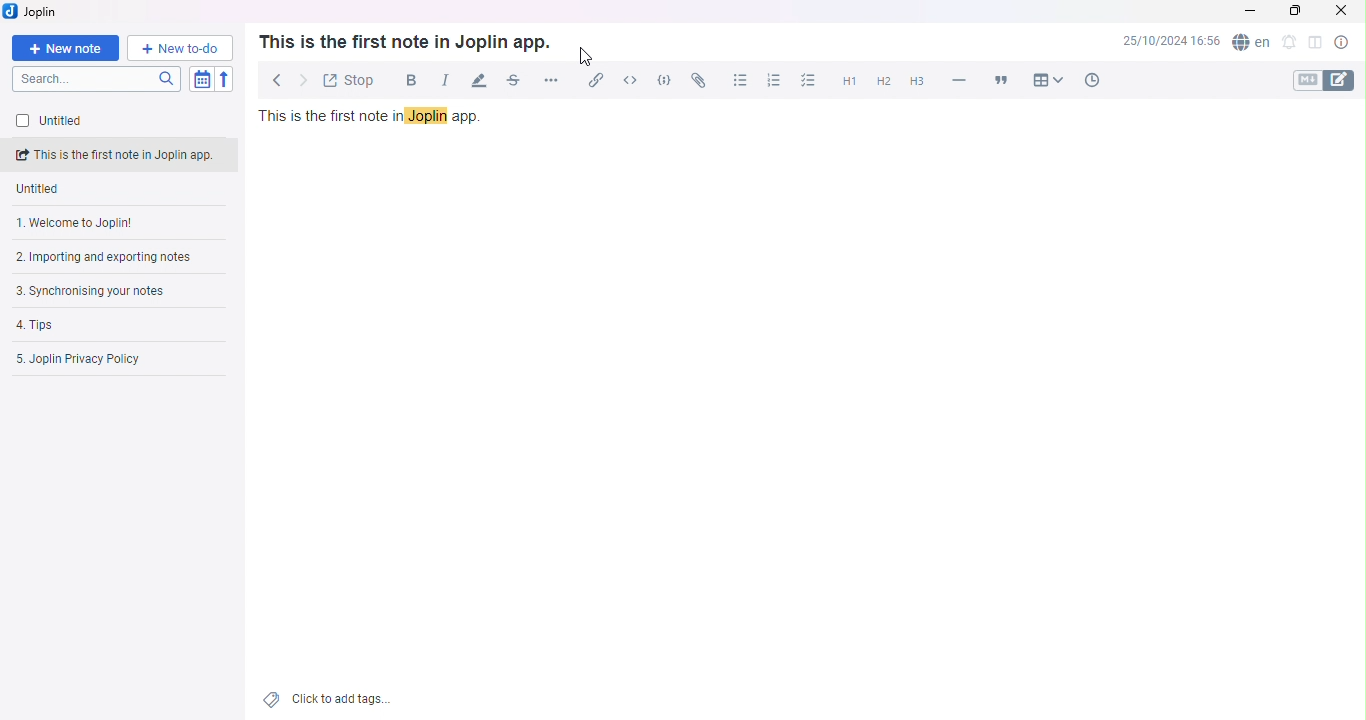 This screenshot has height=720, width=1366. I want to click on Untitled, so click(94, 122).